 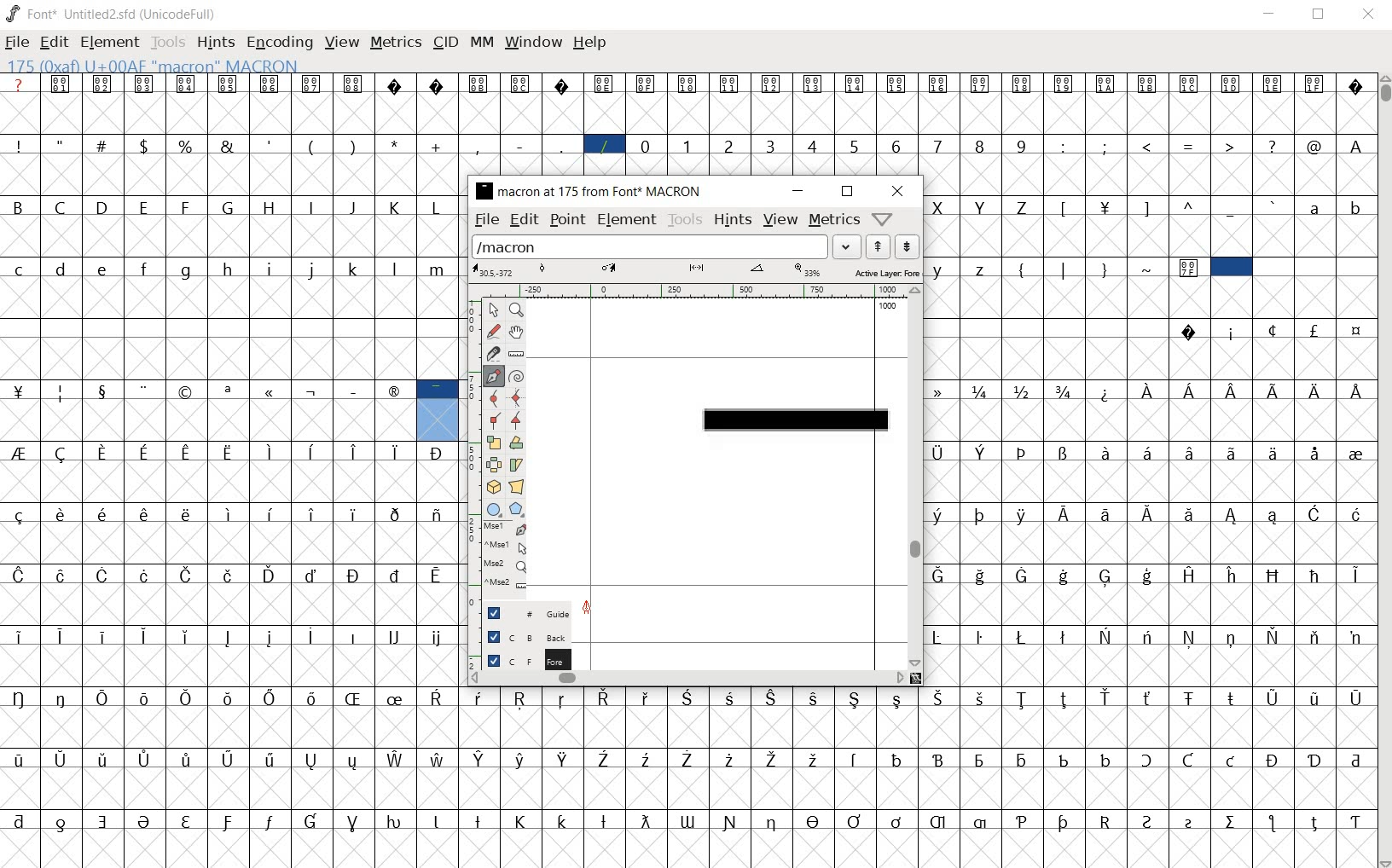 I want to click on Symbol, so click(x=1149, y=86).